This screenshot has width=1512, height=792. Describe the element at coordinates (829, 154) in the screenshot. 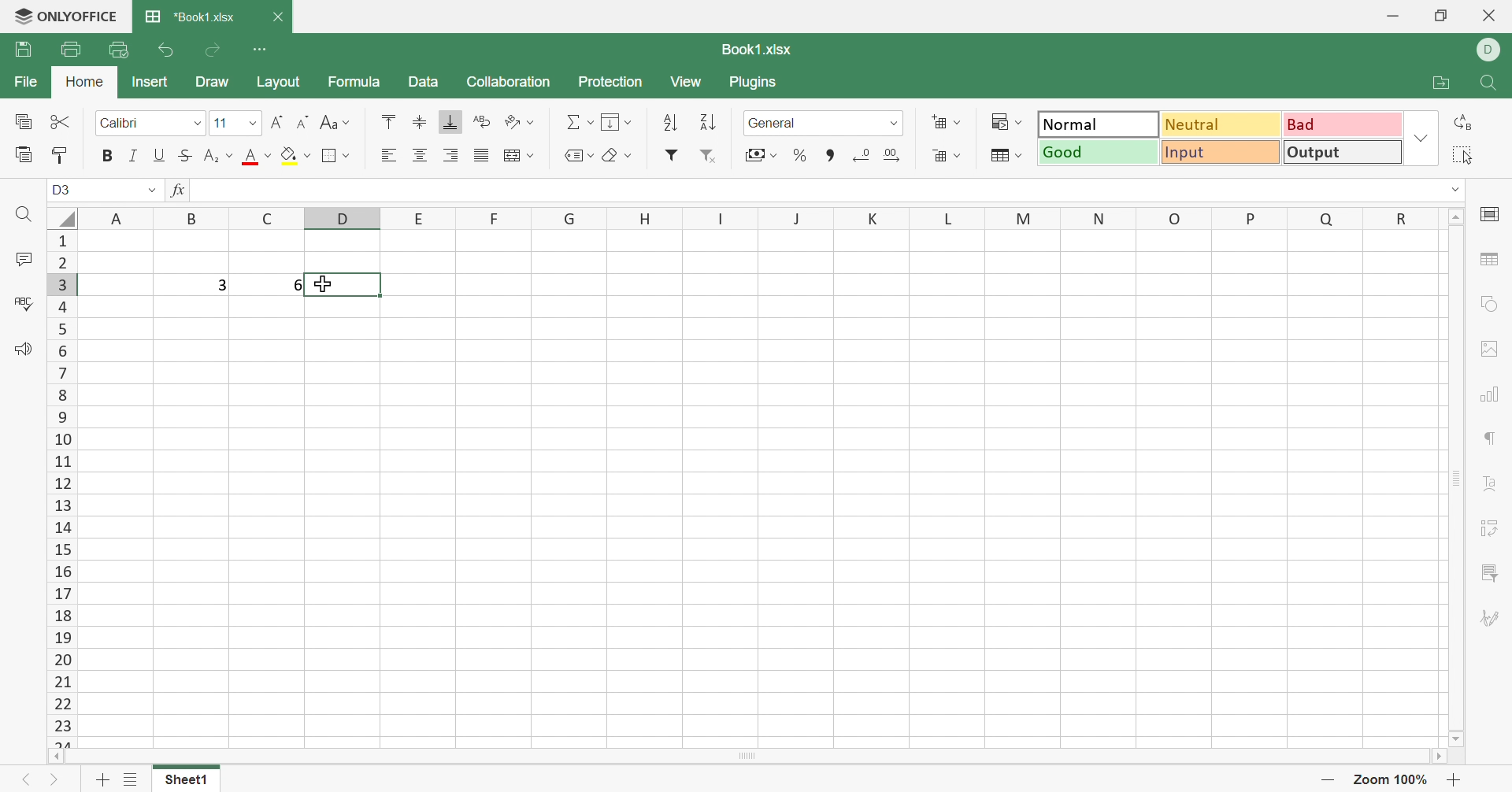

I see `Comma style` at that location.